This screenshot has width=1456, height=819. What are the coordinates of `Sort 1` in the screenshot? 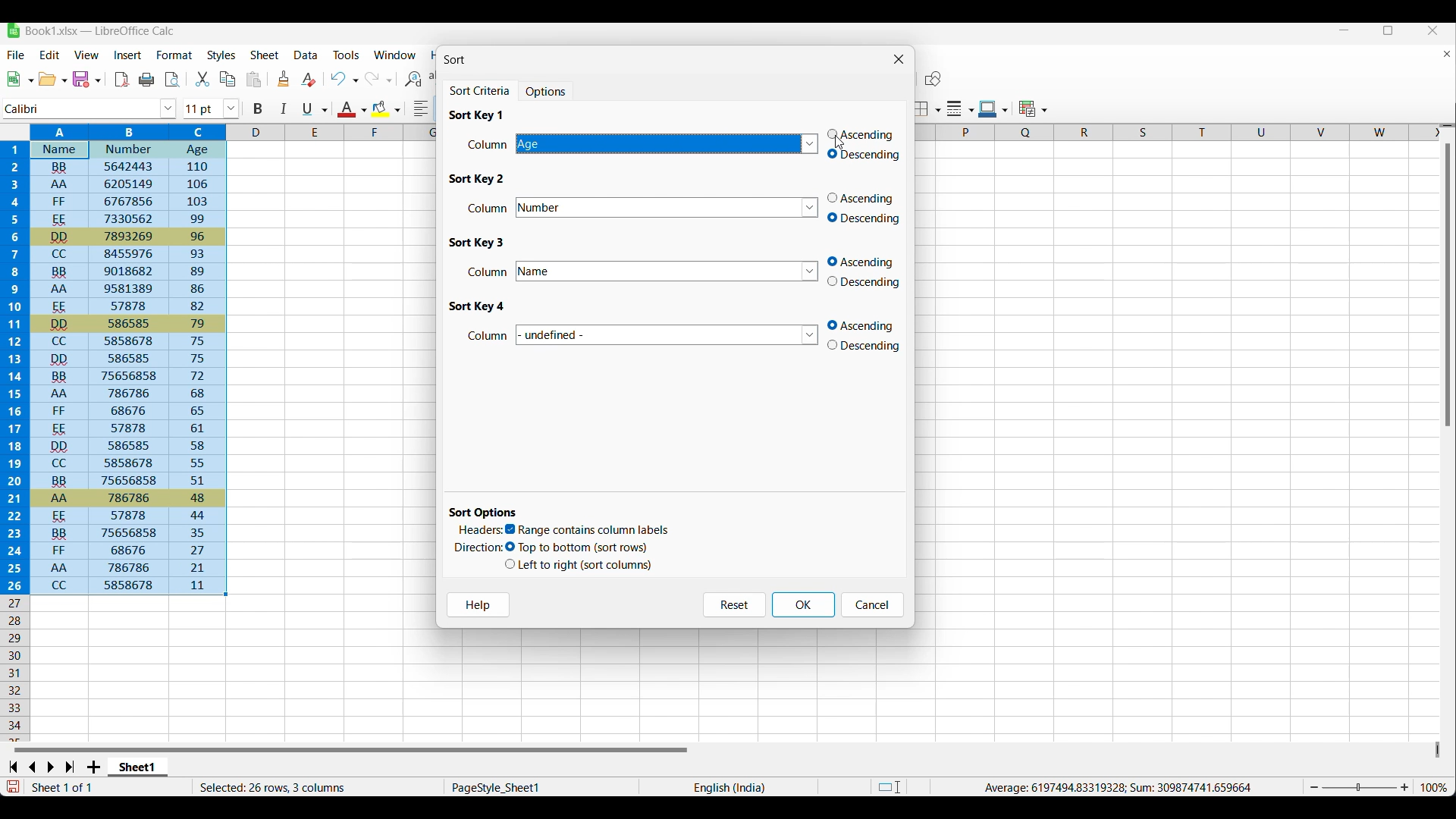 It's located at (476, 115).